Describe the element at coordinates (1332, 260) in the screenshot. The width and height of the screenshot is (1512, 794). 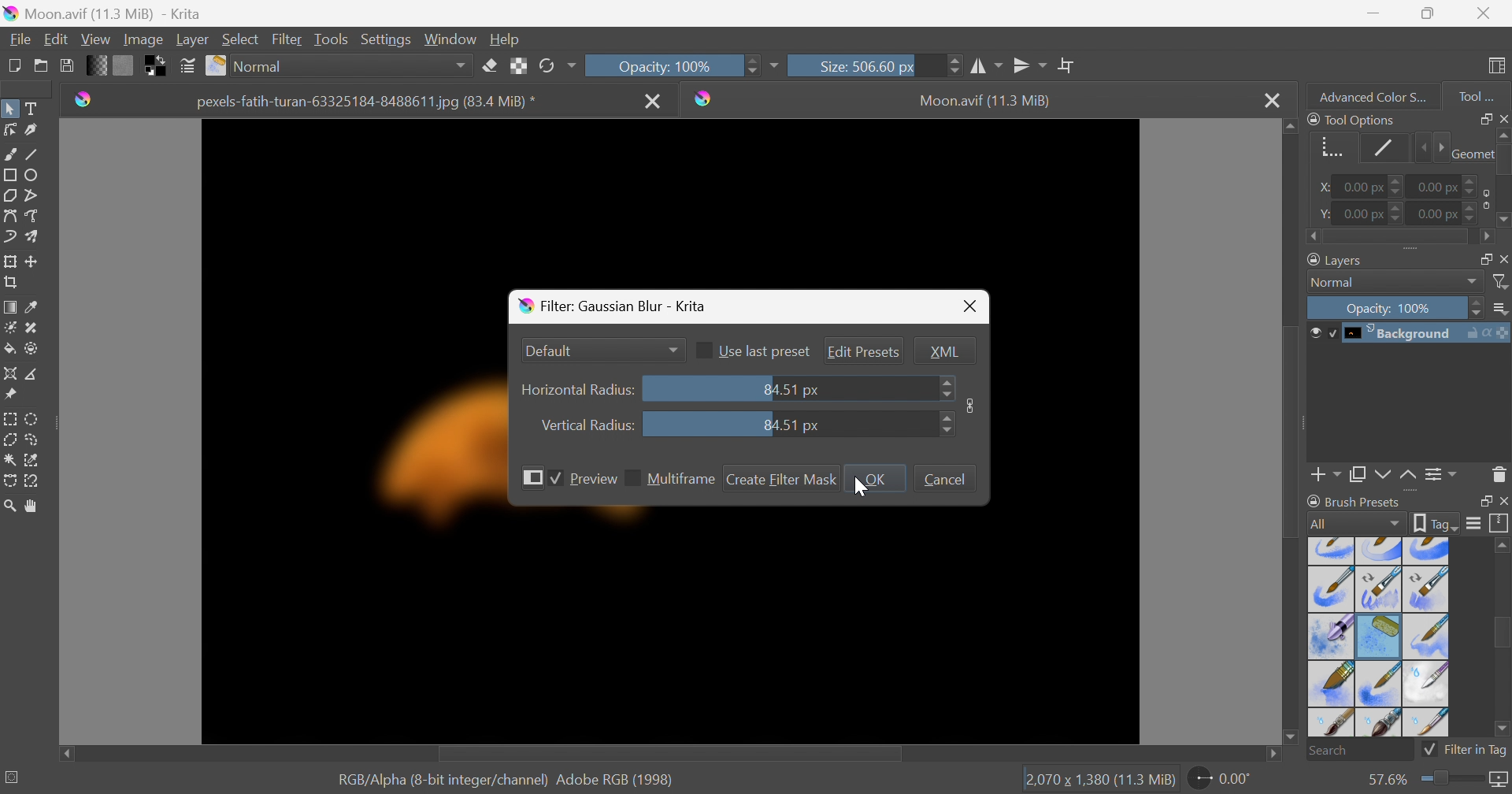
I see `Layers` at that location.